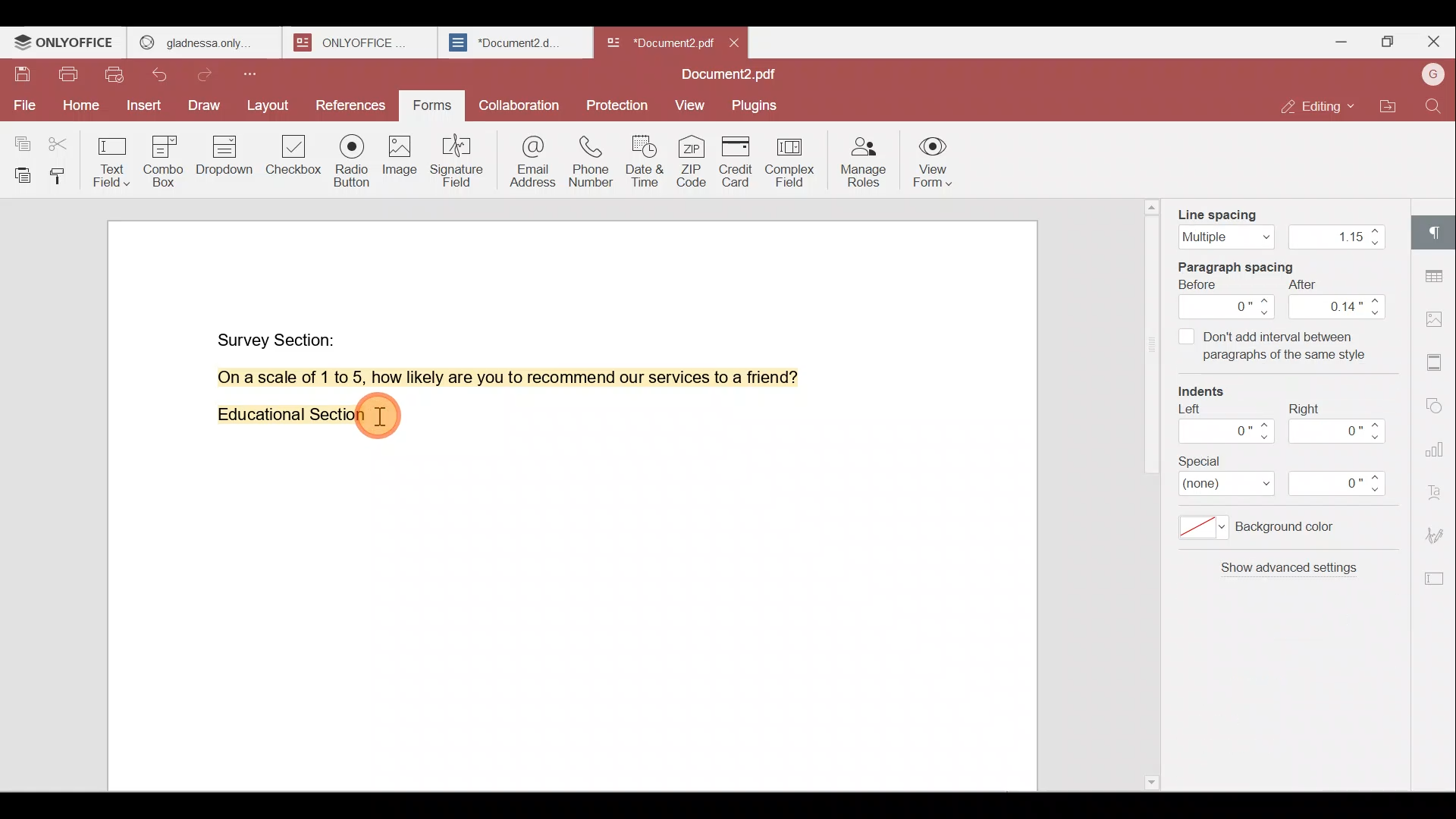 The height and width of the screenshot is (819, 1456). What do you see at coordinates (1432, 76) in the screenshot?
I see `Account name` at bounding box center [1432, 76].